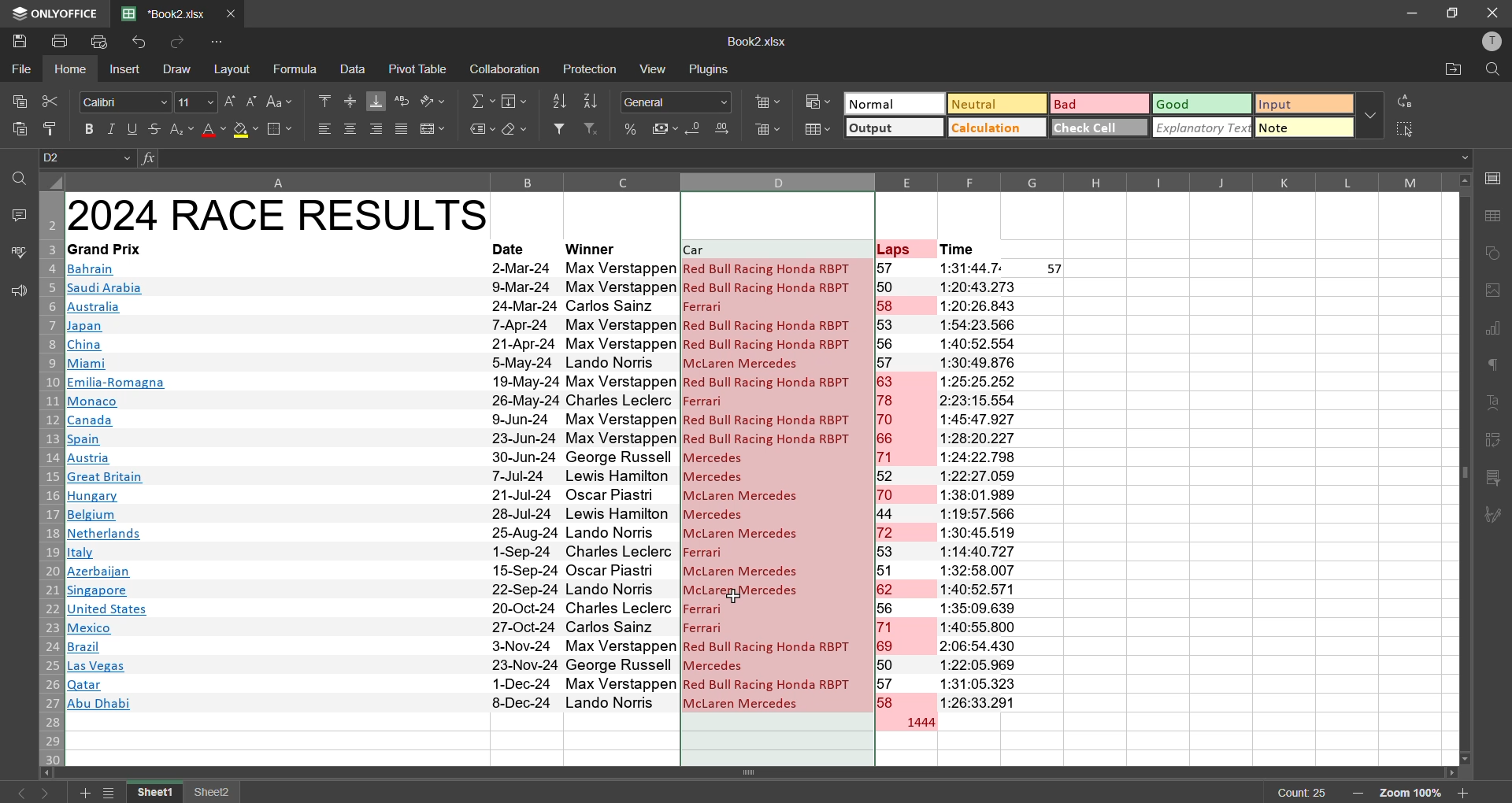 This screenshot has width=1512, height=803. Describe the element at coordinates (622, 487) in the screenshot. I see `Racer’s name` at that location.